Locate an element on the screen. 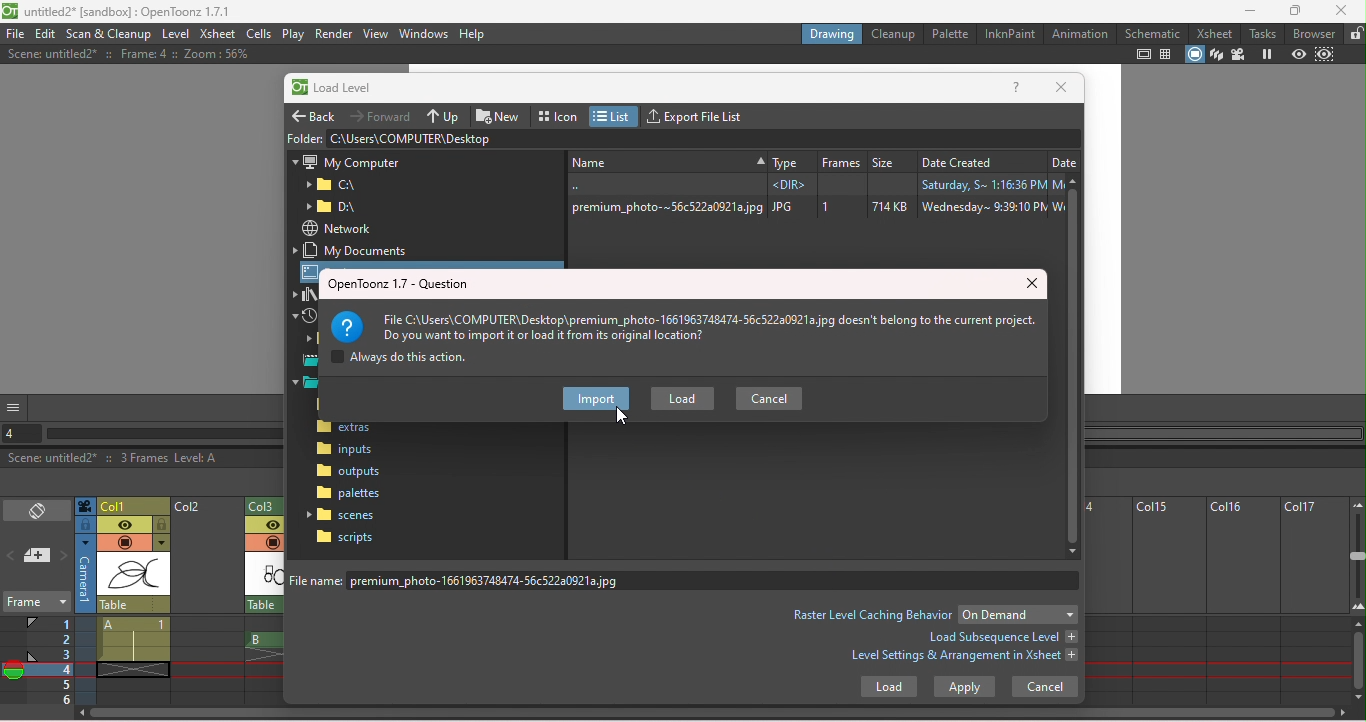  Onion skin is located at coordinates (13, 673).